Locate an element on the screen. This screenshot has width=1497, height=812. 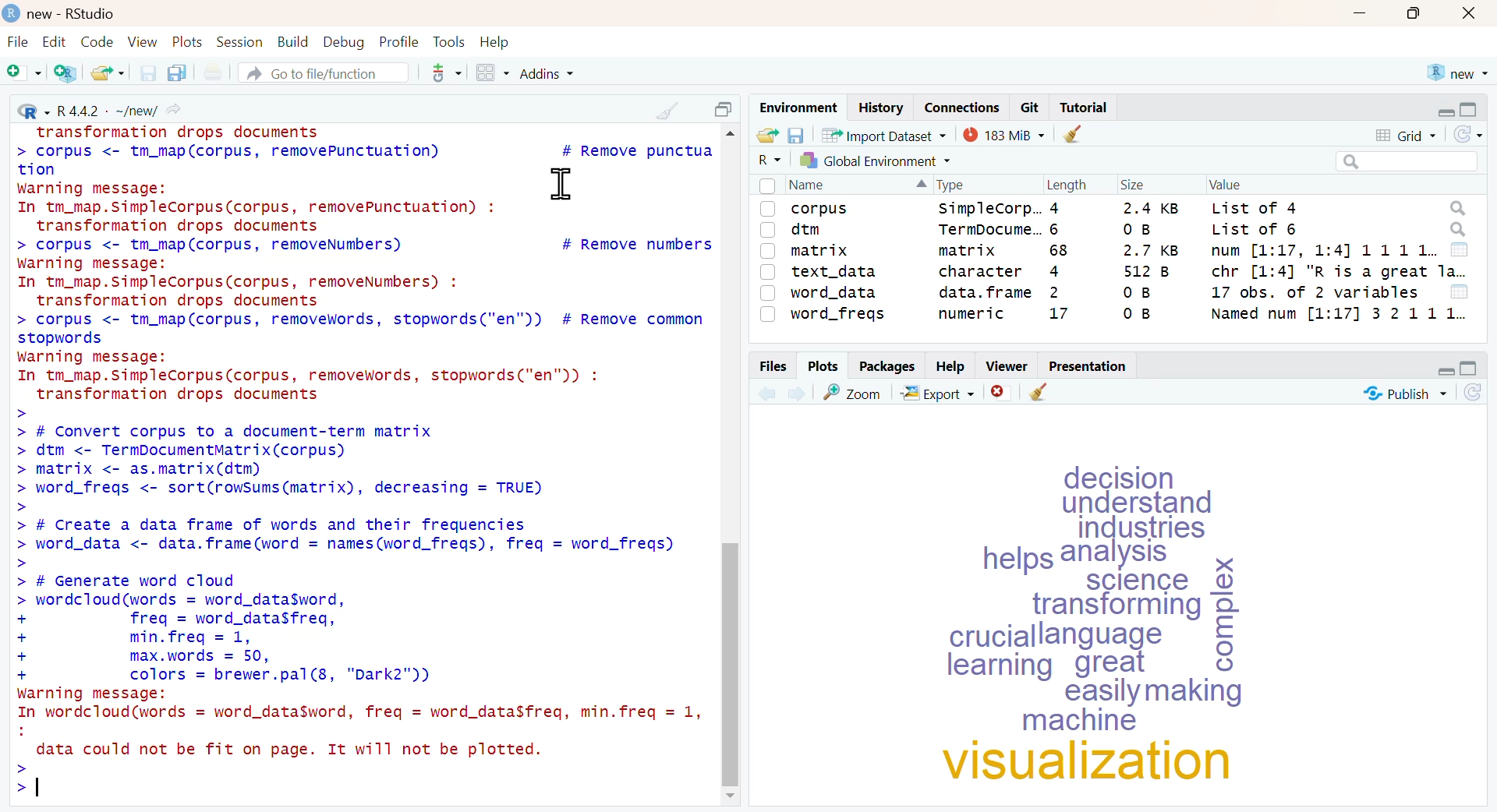
Environment is located at coordinates (797, 108).